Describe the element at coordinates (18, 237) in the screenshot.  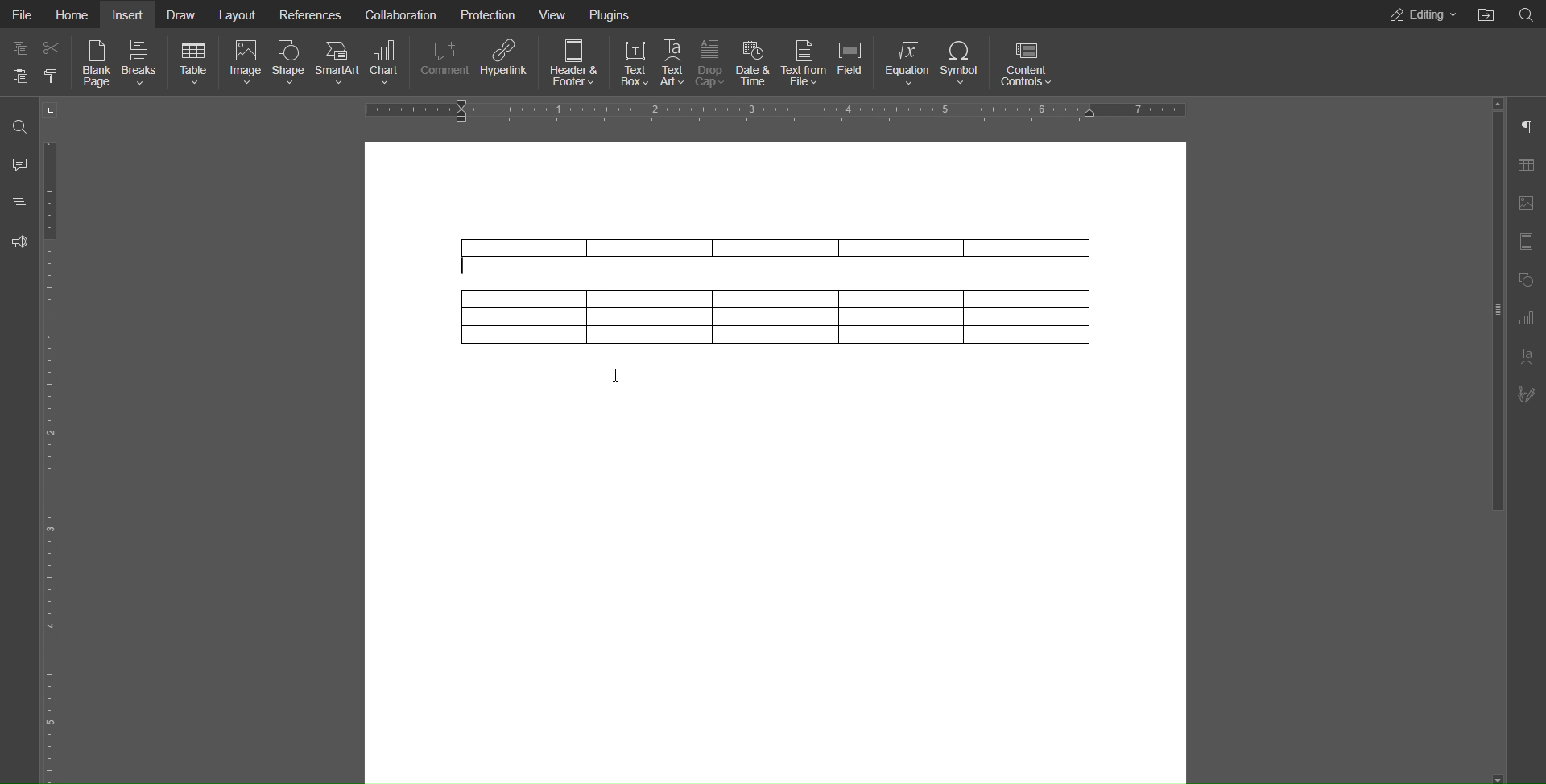
I see `Feedback and Support` at that location.